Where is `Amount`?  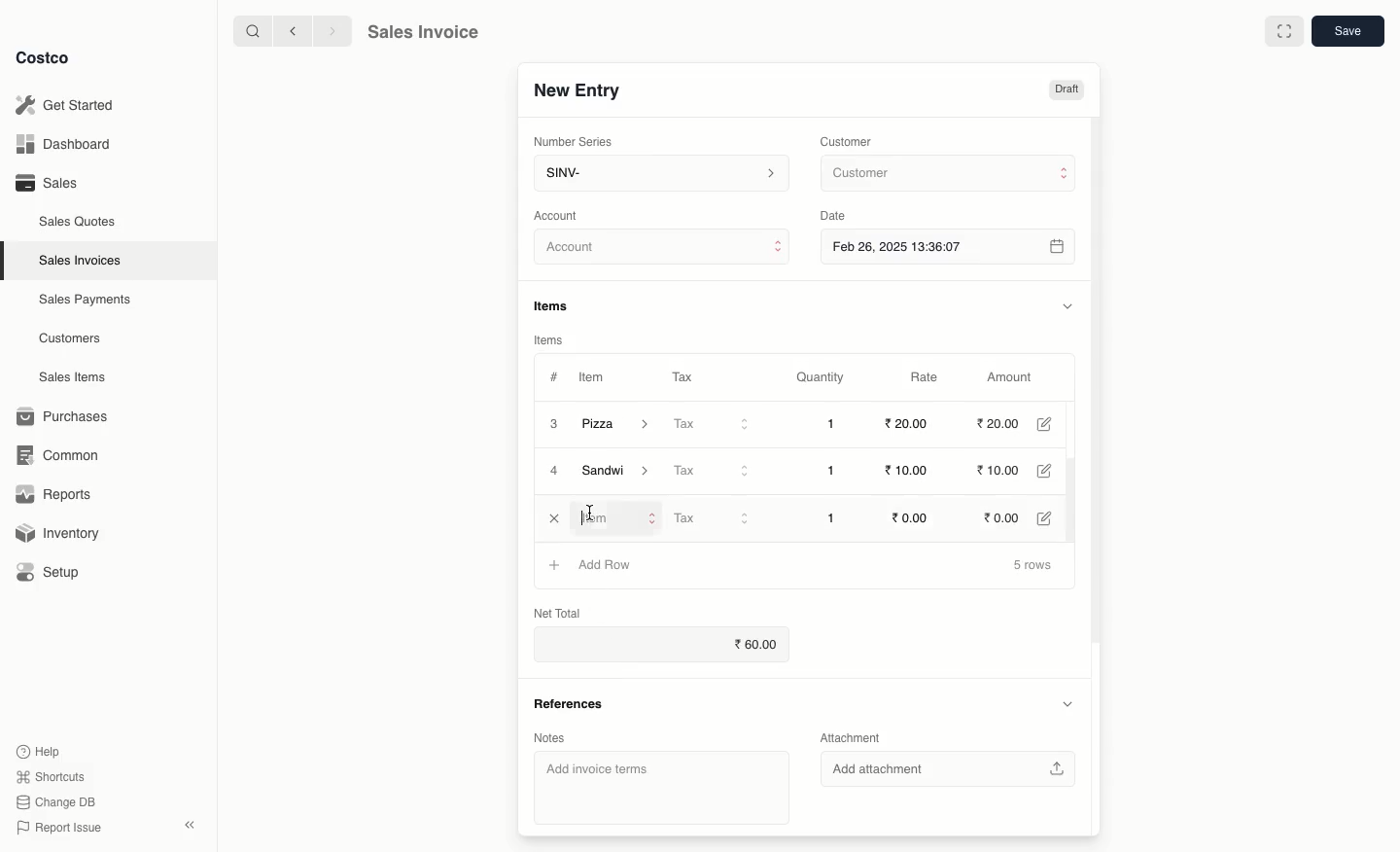
Amount is located at coordinates (1015, 377).